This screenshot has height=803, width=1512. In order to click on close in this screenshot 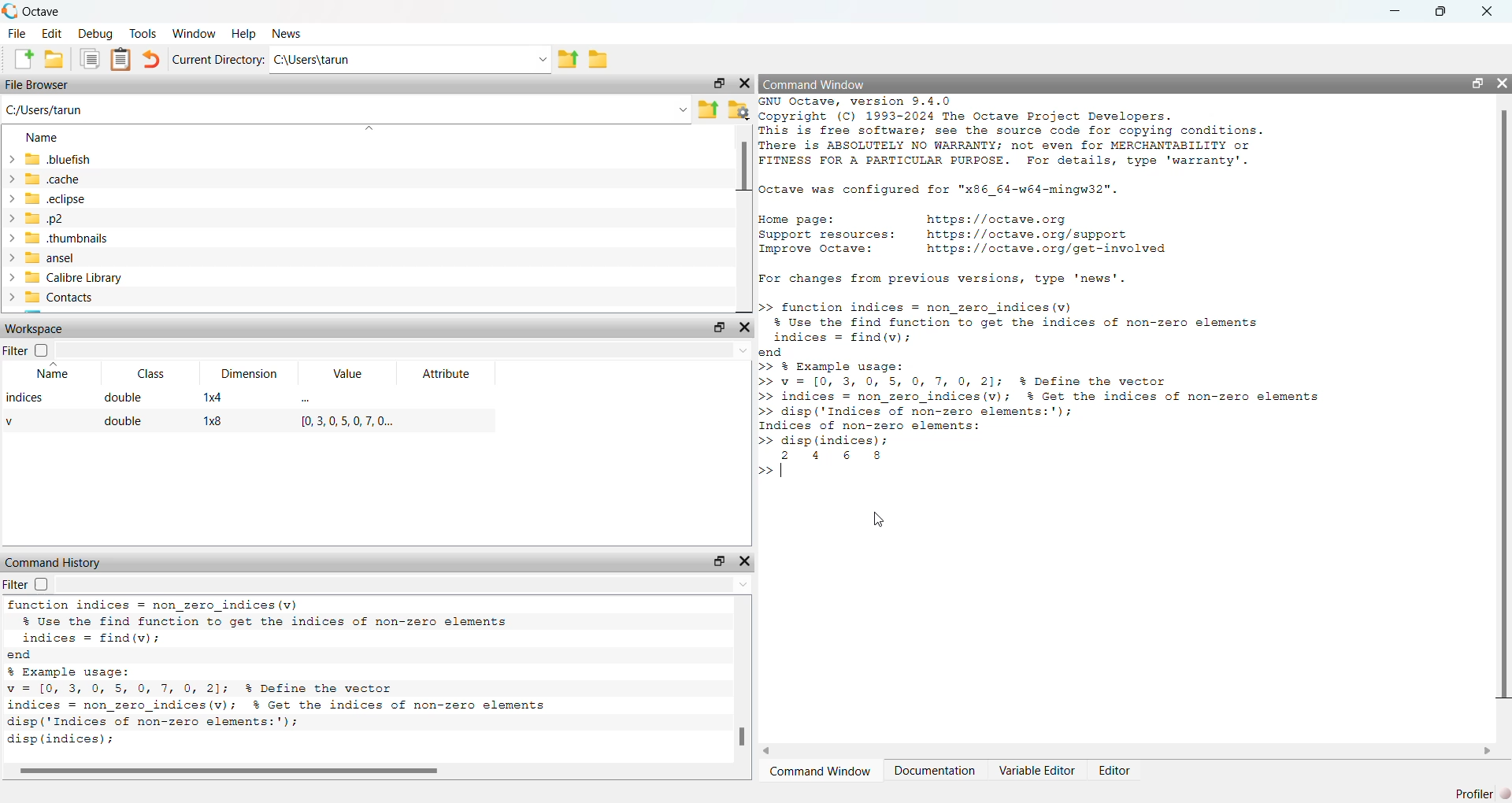, I will do `click(746, 557)`.